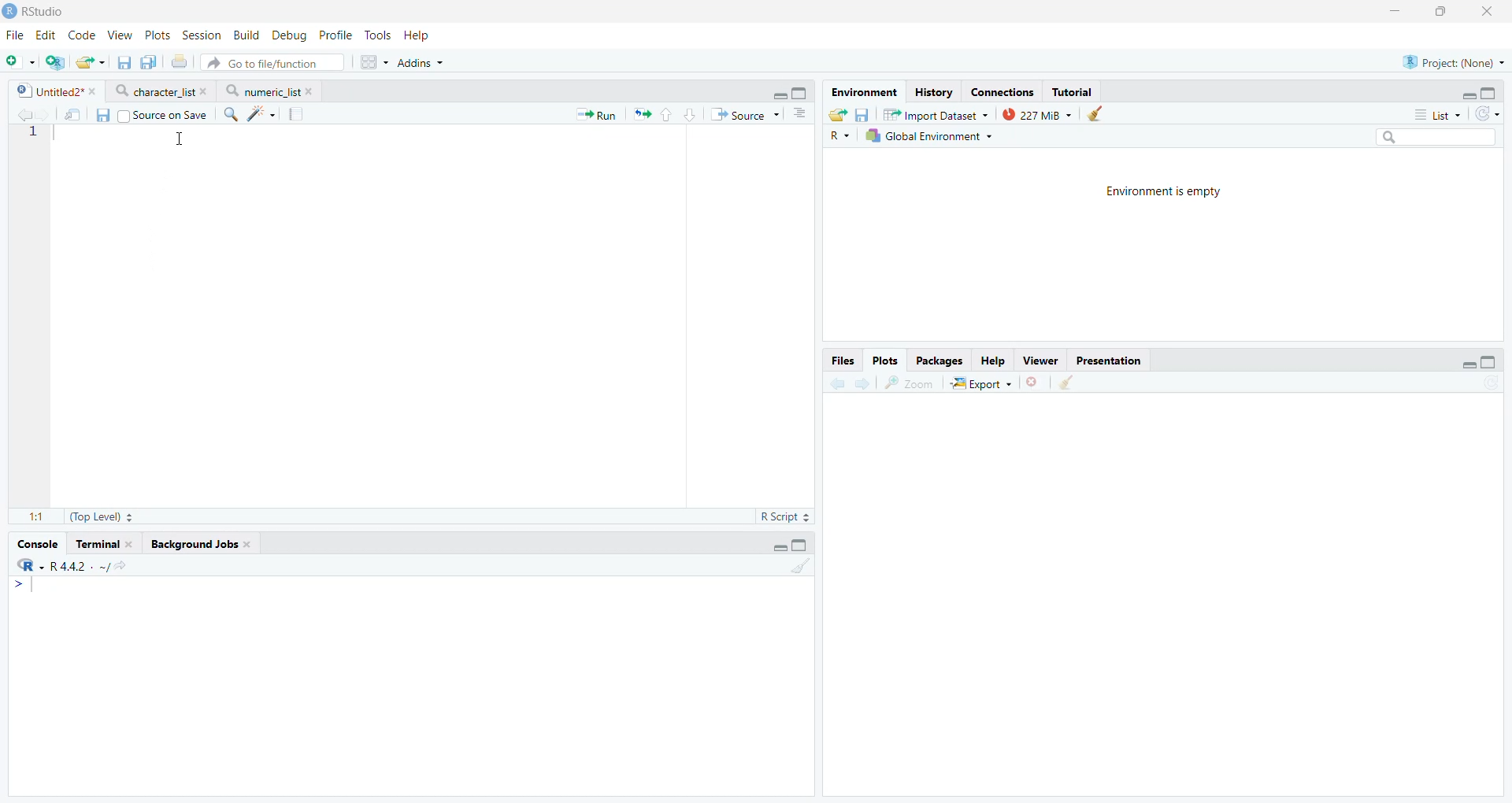  What do you see at coordinates (744, 114) in the screenshot?
I see `Source` at bounding box center [744, 114].